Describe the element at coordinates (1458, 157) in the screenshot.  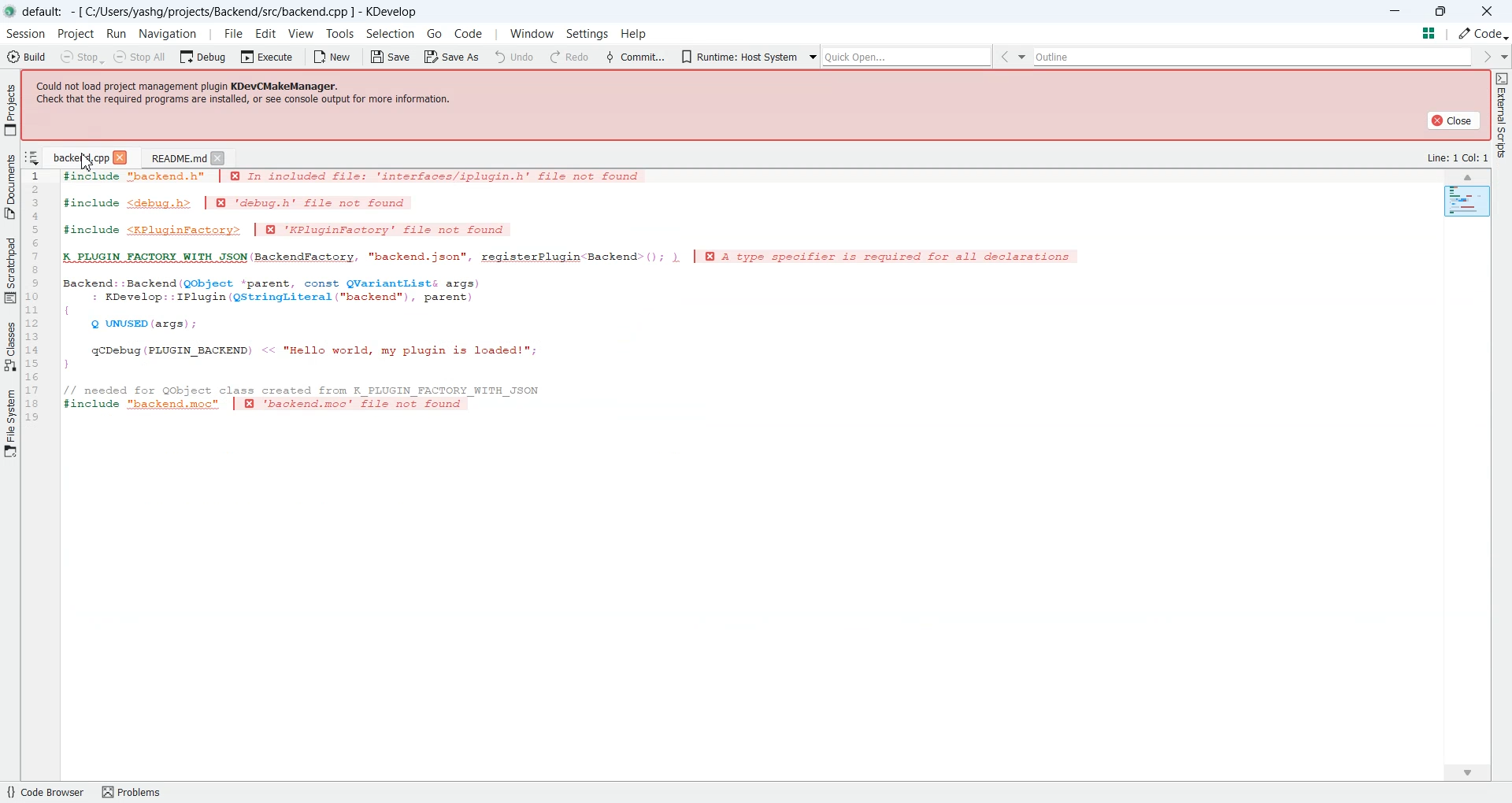
I see `Text` at that location.